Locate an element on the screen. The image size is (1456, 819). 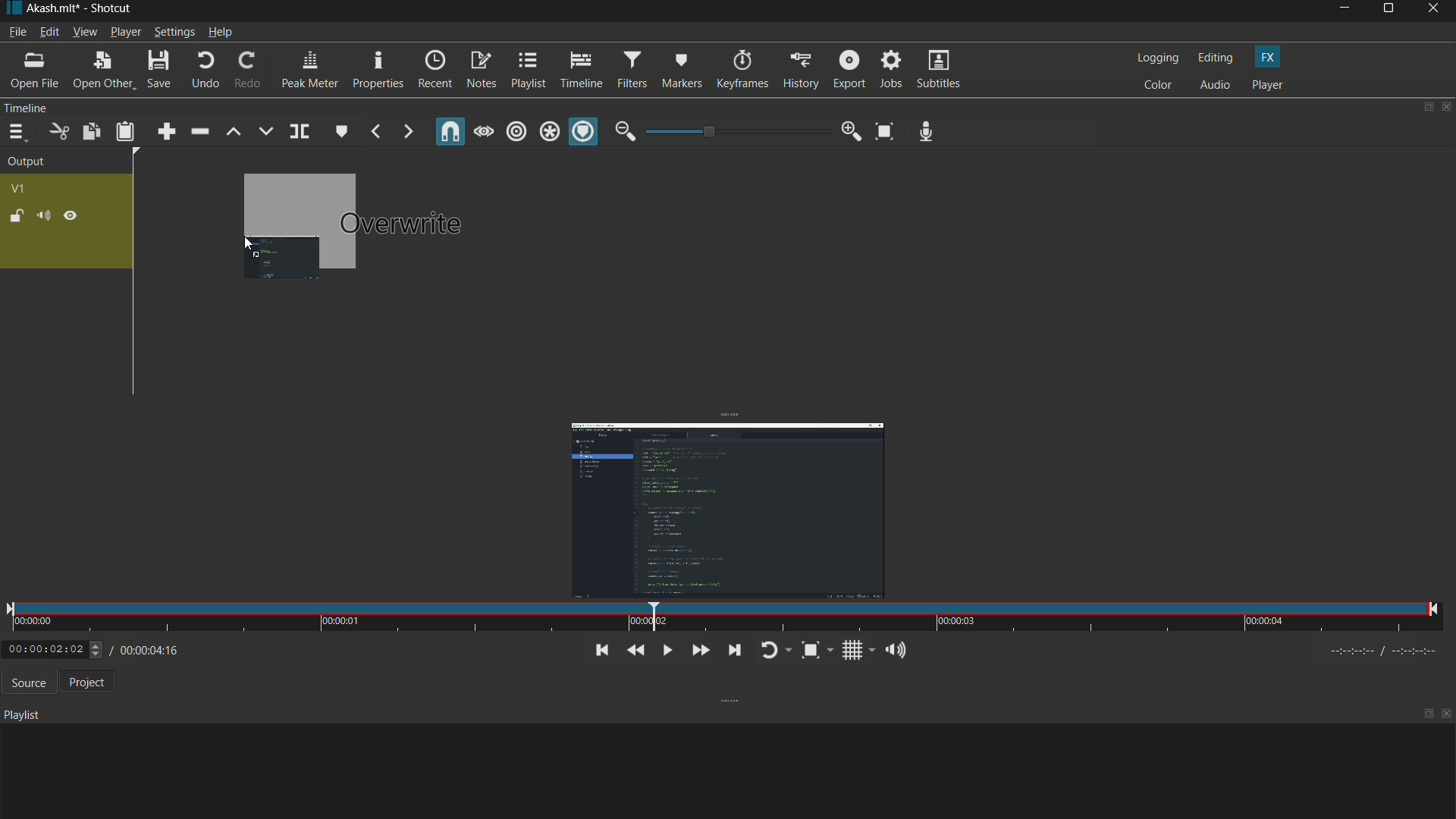
0:00:02:02  is located at coordinates (54, 649).